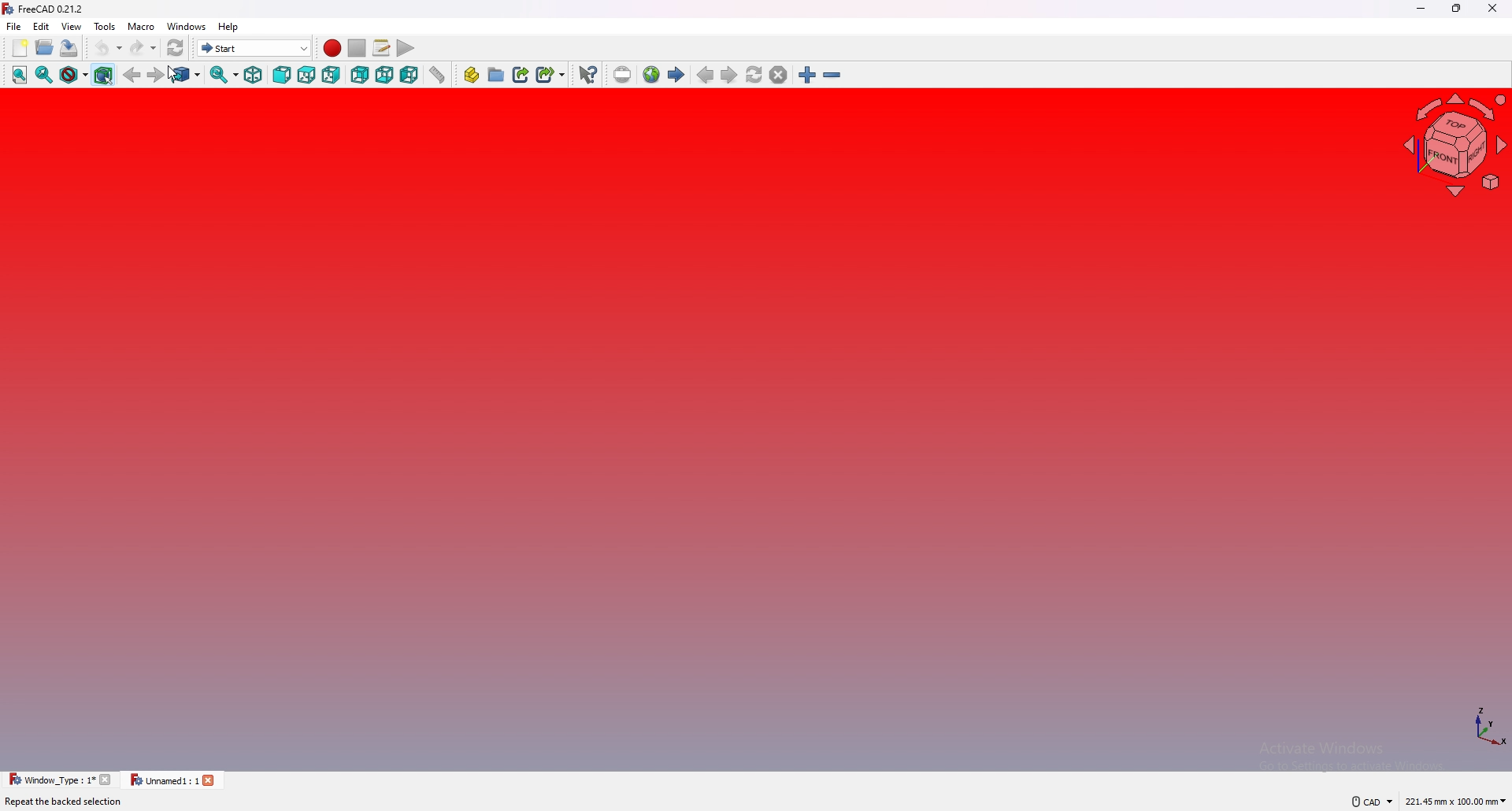 This screenshot has height=811, width=1512. I want to click on windows, so click(187, 27).